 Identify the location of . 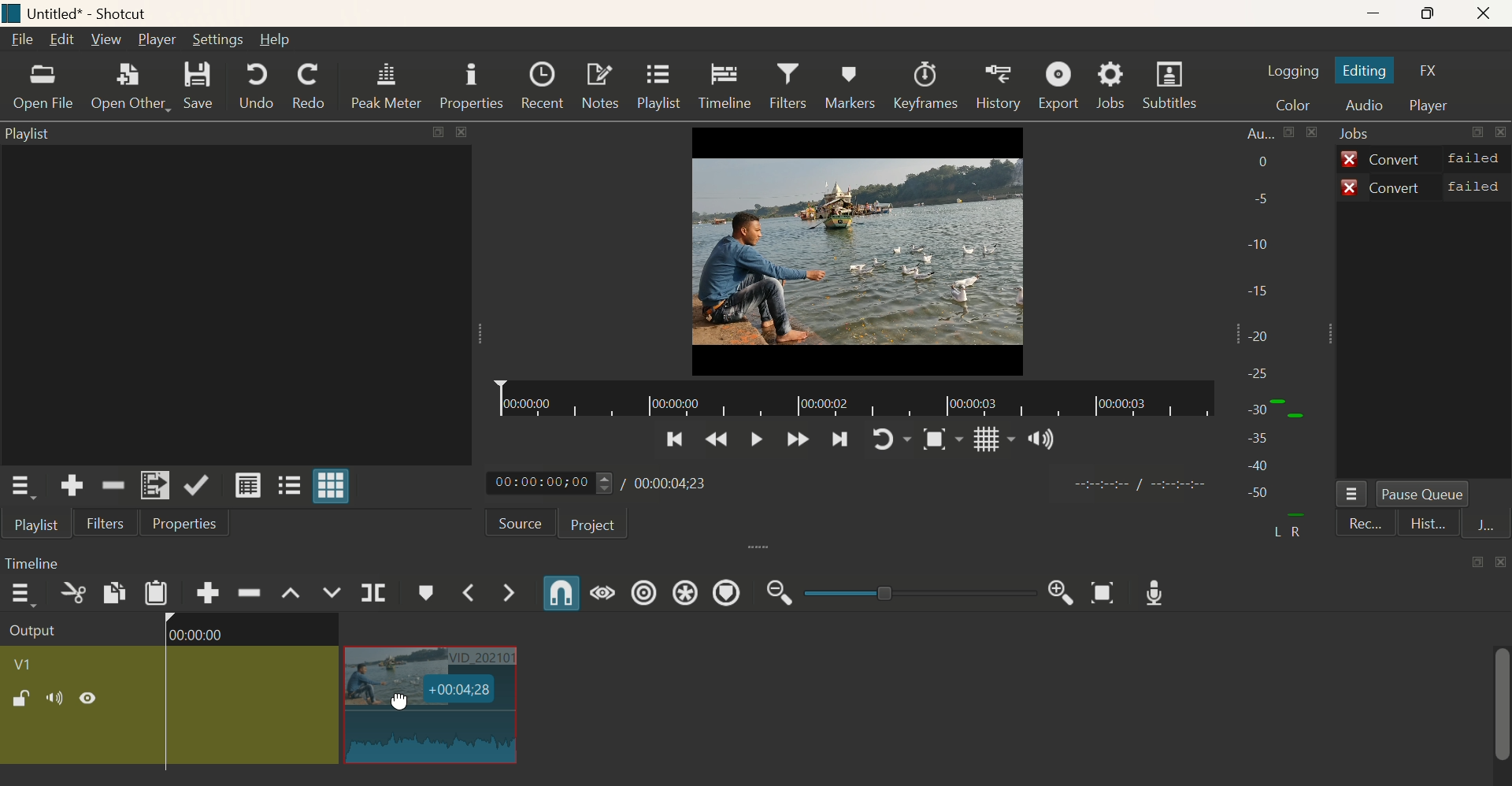
(684, 595).